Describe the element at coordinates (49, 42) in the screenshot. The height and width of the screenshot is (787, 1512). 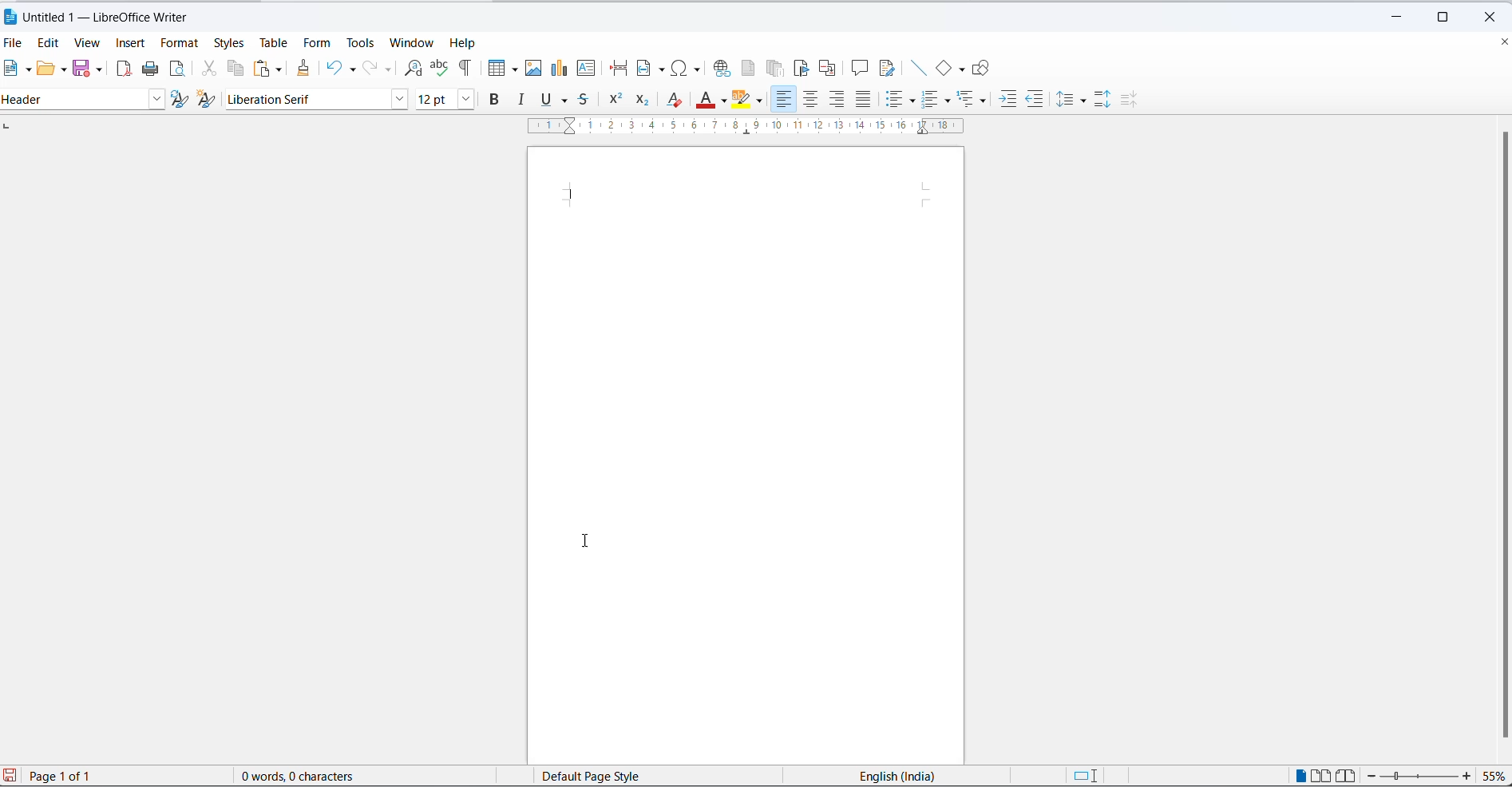
I see `edit` at that location.